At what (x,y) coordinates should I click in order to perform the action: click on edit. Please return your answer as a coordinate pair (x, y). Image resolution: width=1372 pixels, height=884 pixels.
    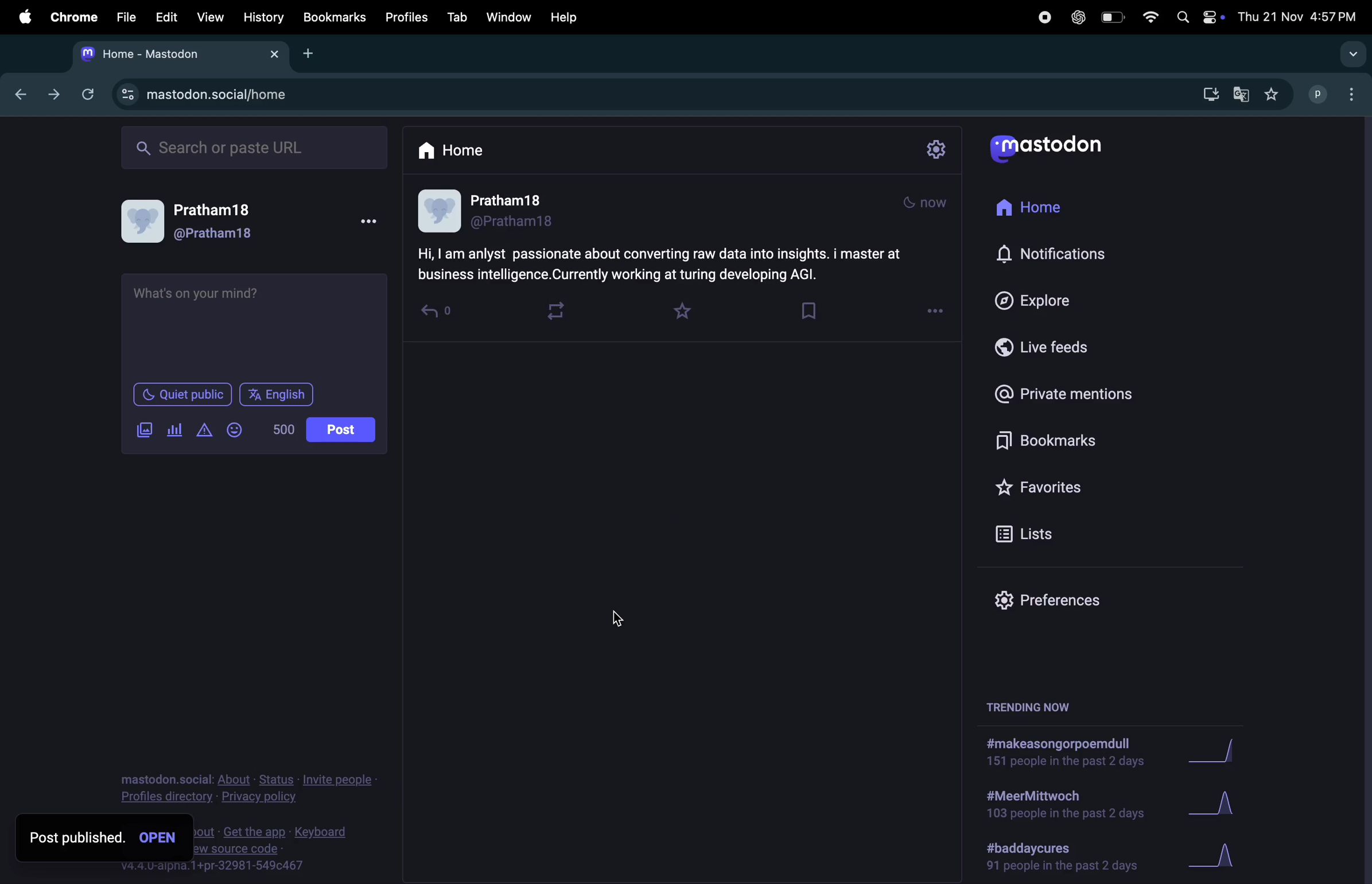
    Looking at the image, I should click on (163, 17).